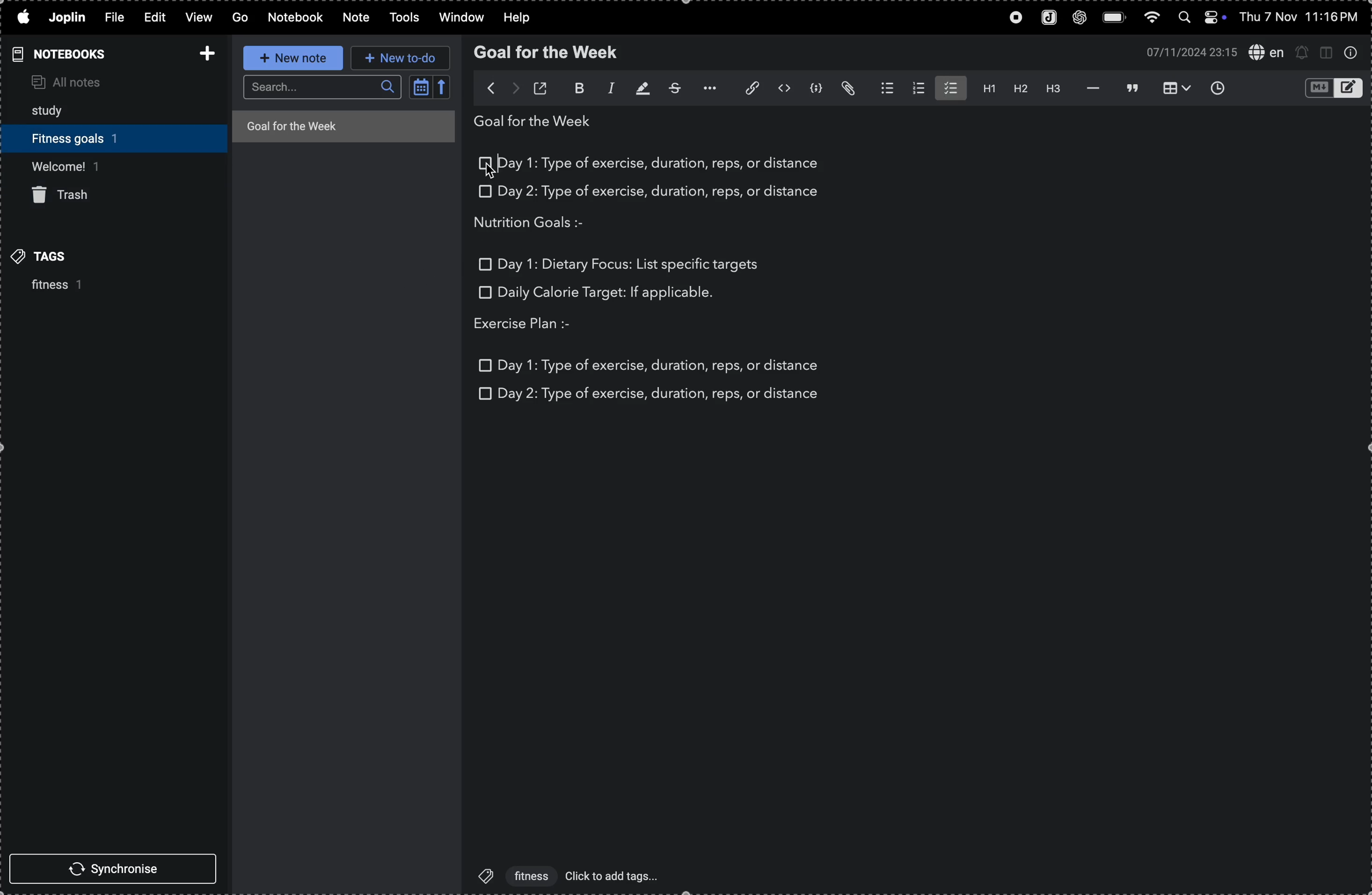  Describe the element at coordinates (671, 88) in the screenshot. I see `strike through` at that location.